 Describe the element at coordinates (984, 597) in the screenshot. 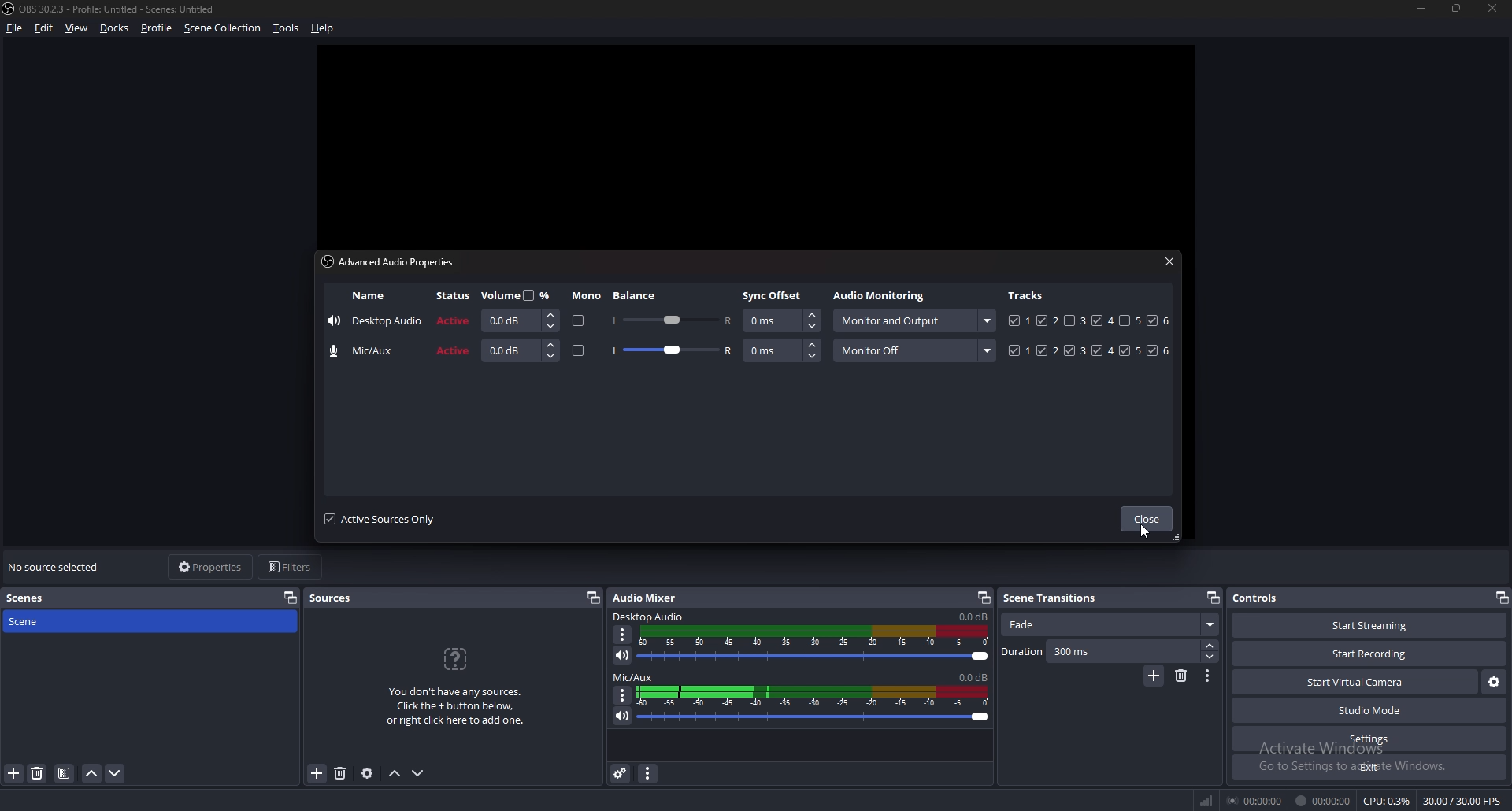

I see `pop out` at that location.